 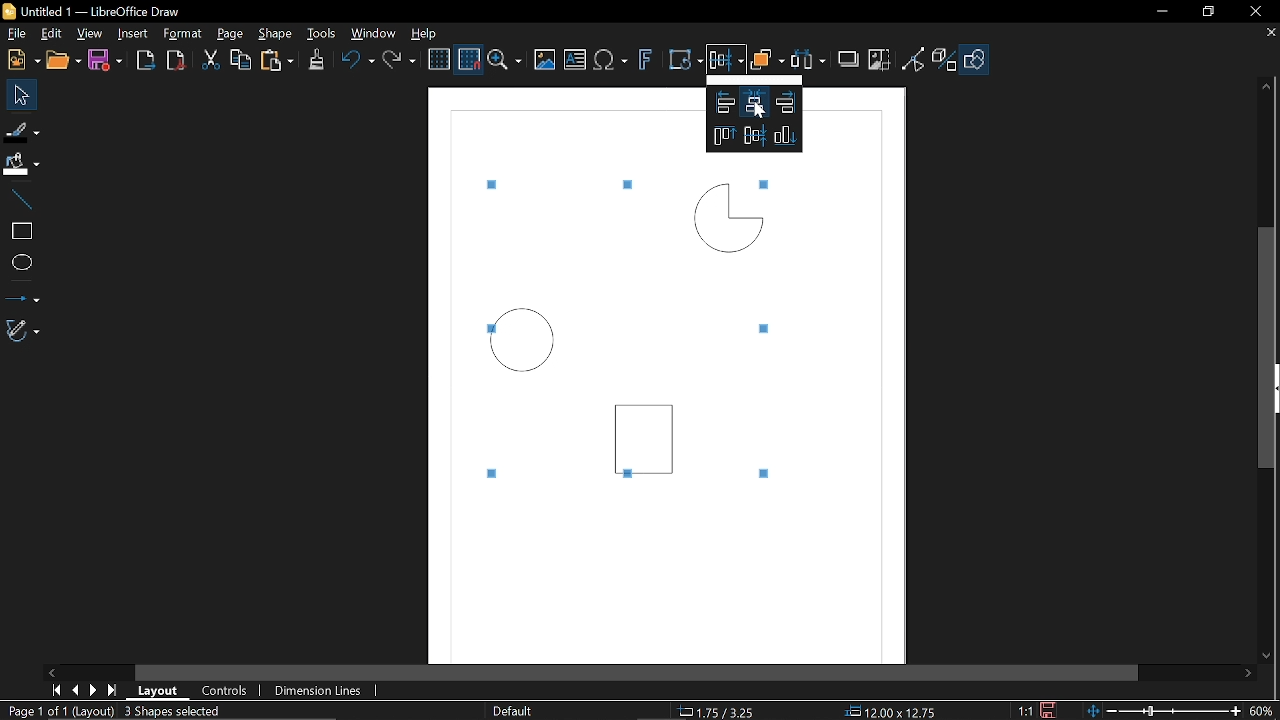 What do you see at coordinates (495, 472) in the screenshot?
I see `Tiny squares sound selected objects` at bounding box center [495, 472].